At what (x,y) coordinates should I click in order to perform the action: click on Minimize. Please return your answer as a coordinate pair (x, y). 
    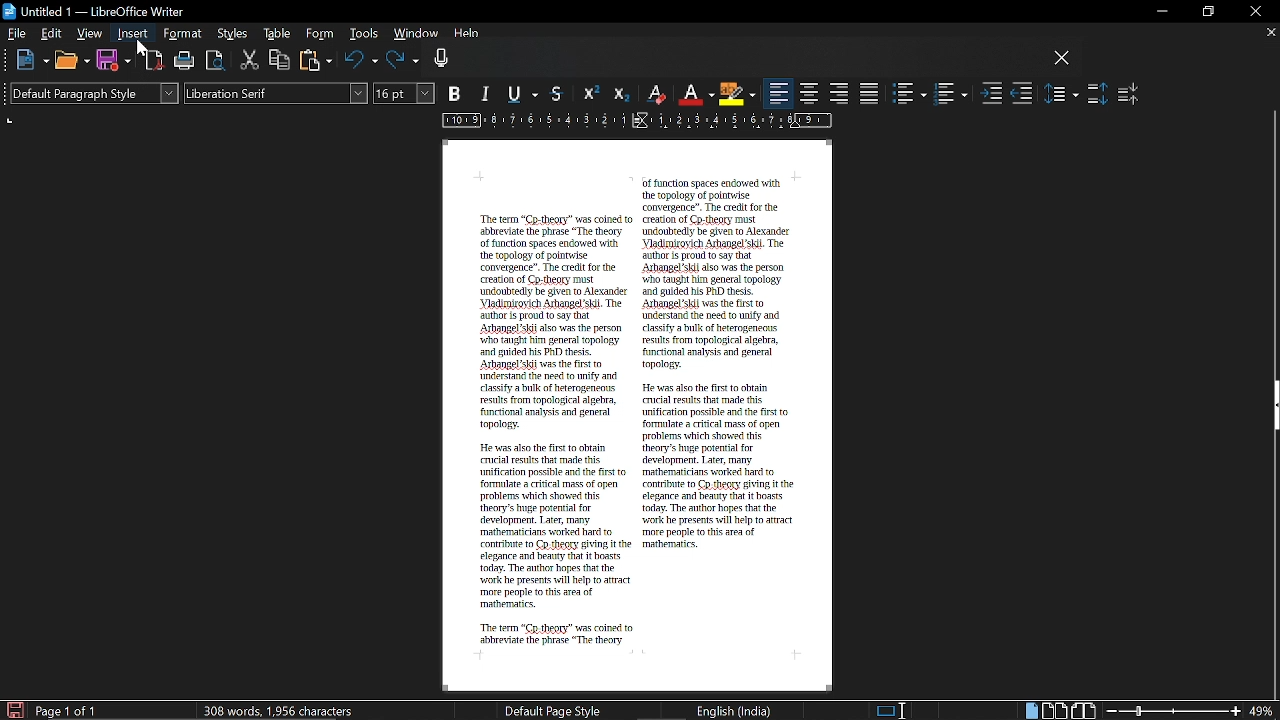
    Looking at the image, I should click on (1158, 12).